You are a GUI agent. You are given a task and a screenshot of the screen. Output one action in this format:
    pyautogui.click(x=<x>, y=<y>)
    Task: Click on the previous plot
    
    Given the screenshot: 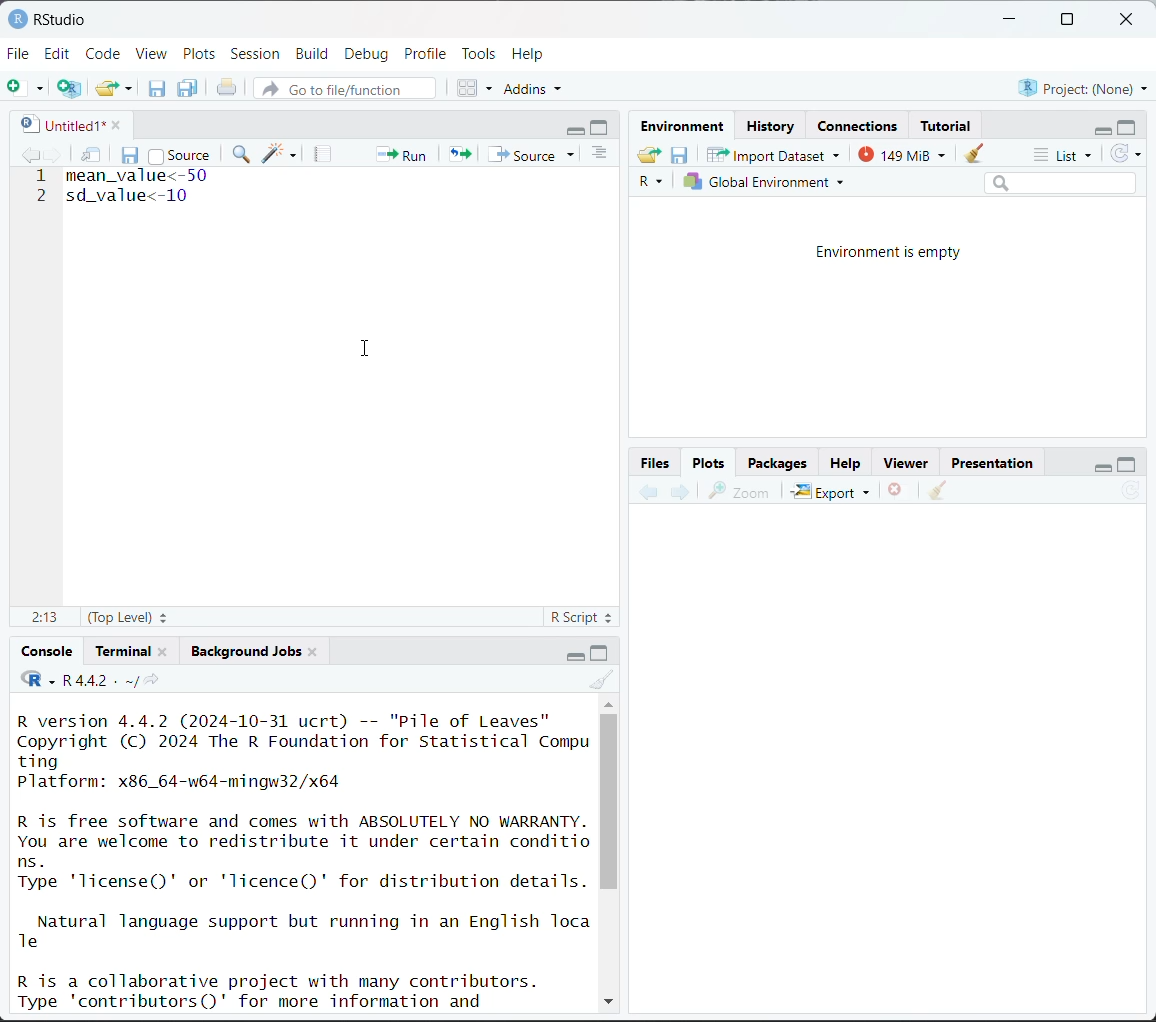 What is the action you would take?
    pyautogui.click(x=649, y=493)
    